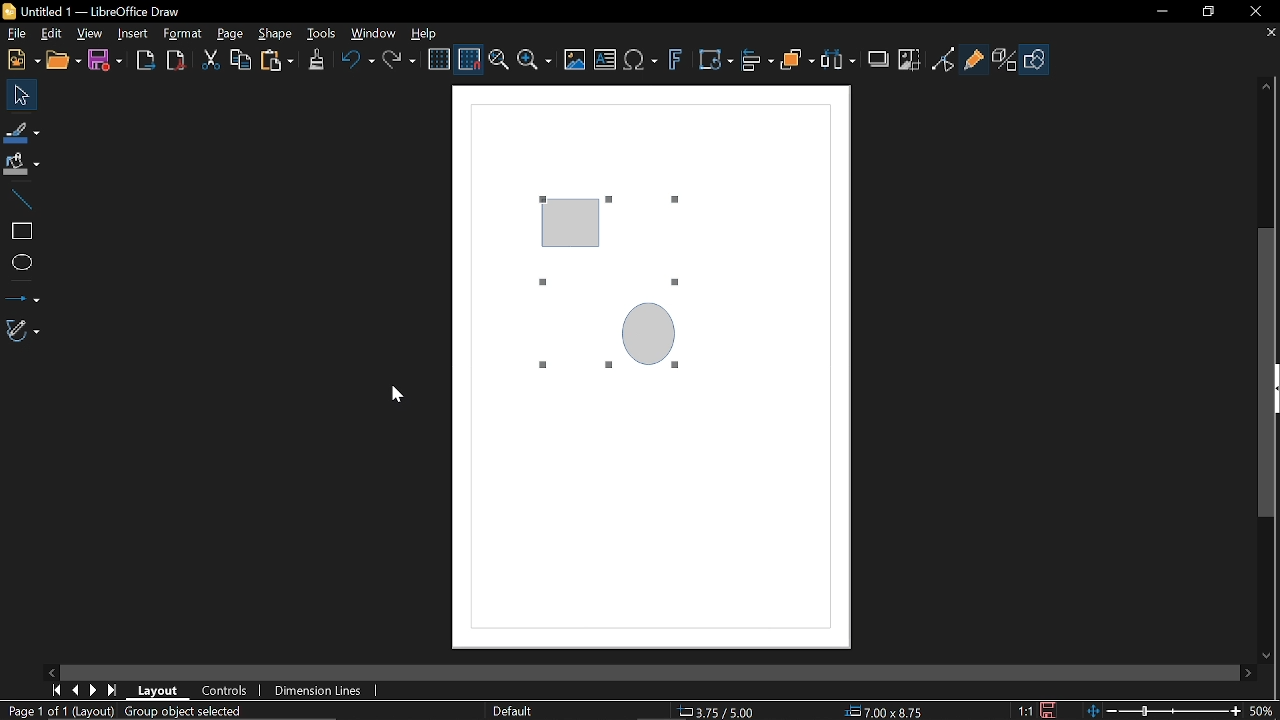 Image resolution: width=1280 pixels, height=720 pixels. Describe the element at coordinates (1162, 11) in the screenshot. I see `Minimize` at that location.